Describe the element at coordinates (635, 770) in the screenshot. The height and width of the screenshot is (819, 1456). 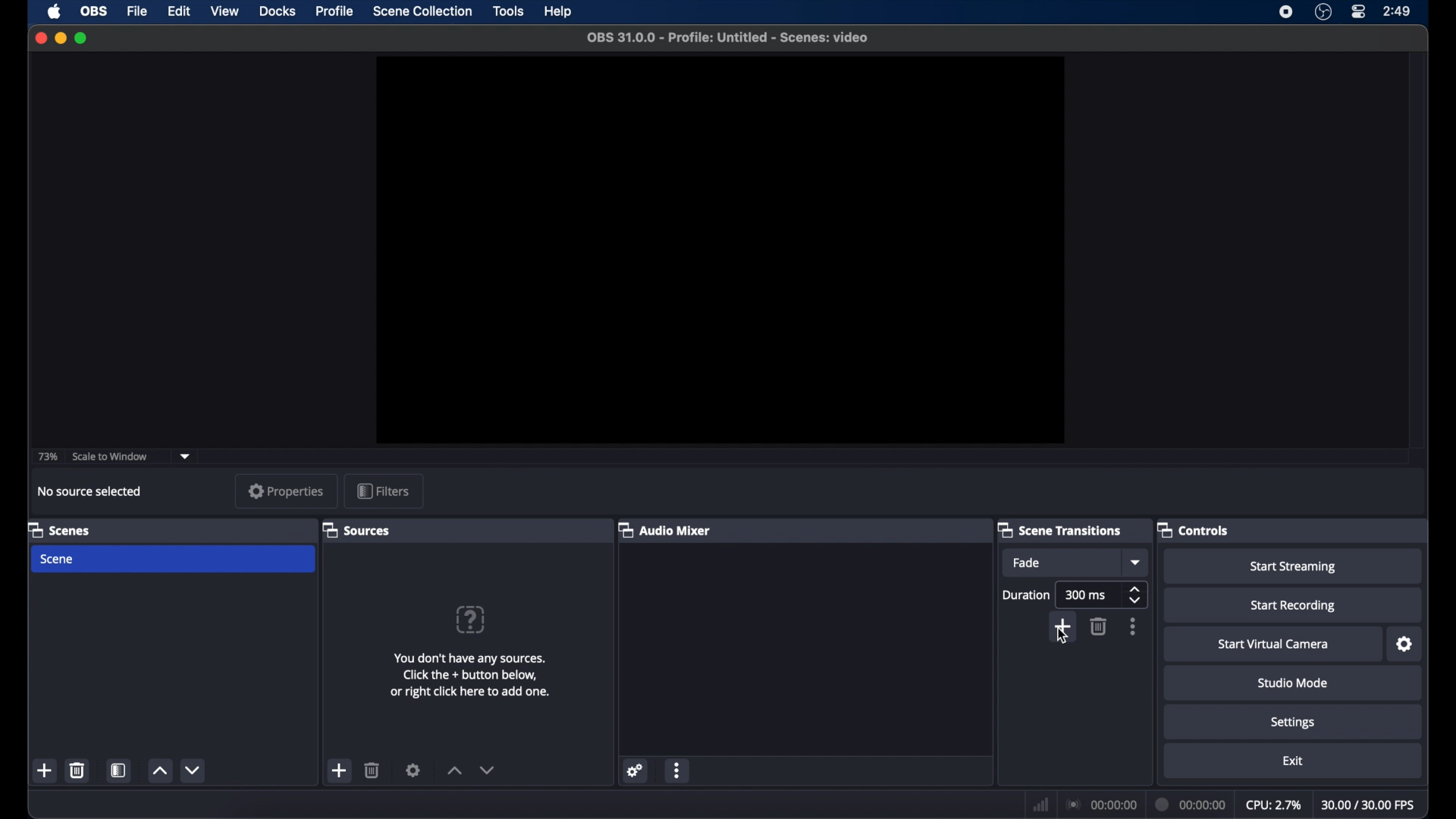
I see `settings` at that location.